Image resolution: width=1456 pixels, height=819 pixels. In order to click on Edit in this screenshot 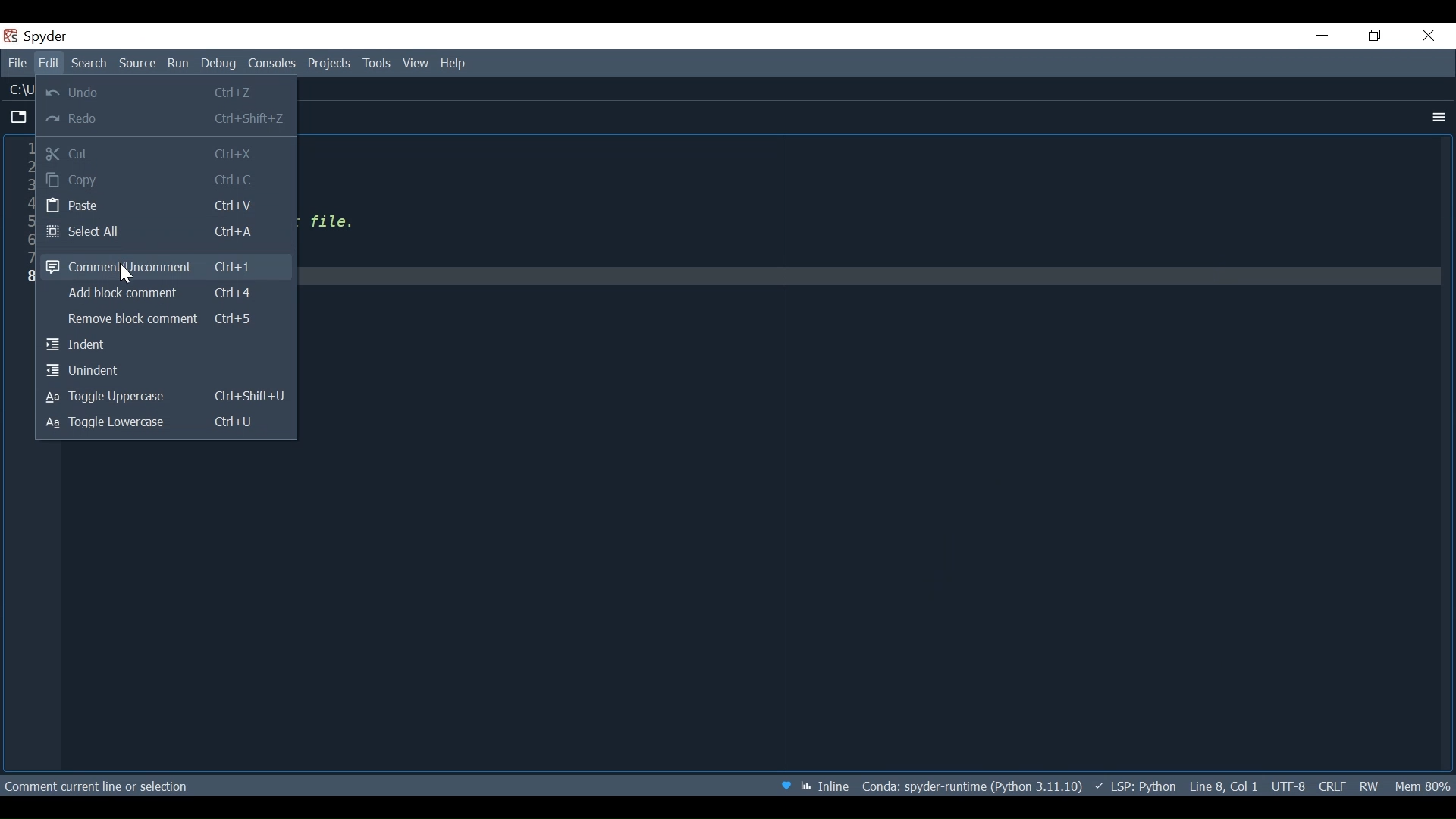, I will do `click(52, 64)`.